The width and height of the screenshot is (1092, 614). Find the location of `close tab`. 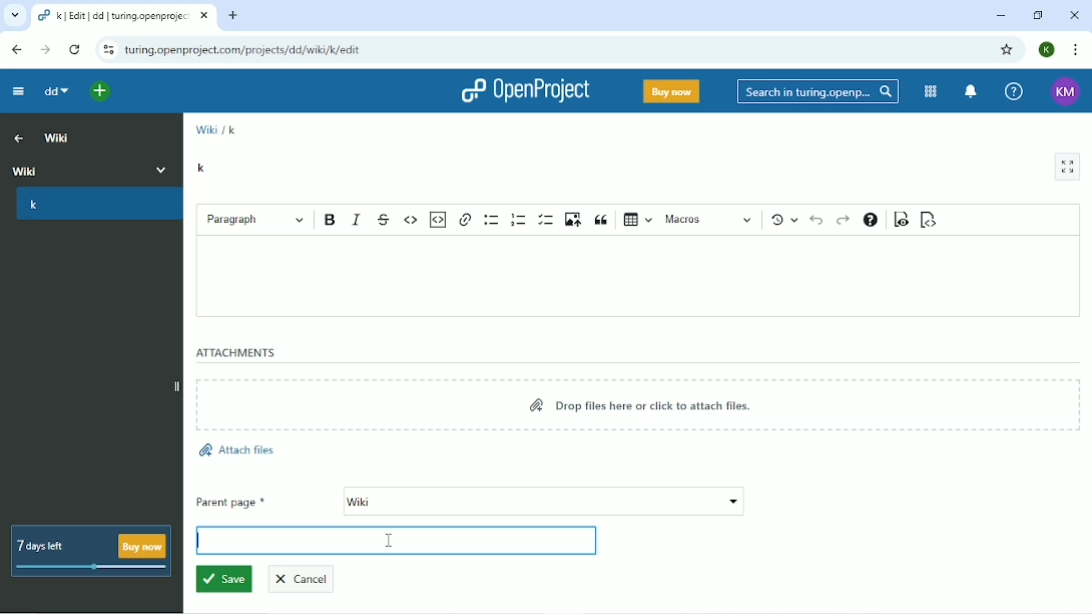

close tab is located at coordinates (206, 18).